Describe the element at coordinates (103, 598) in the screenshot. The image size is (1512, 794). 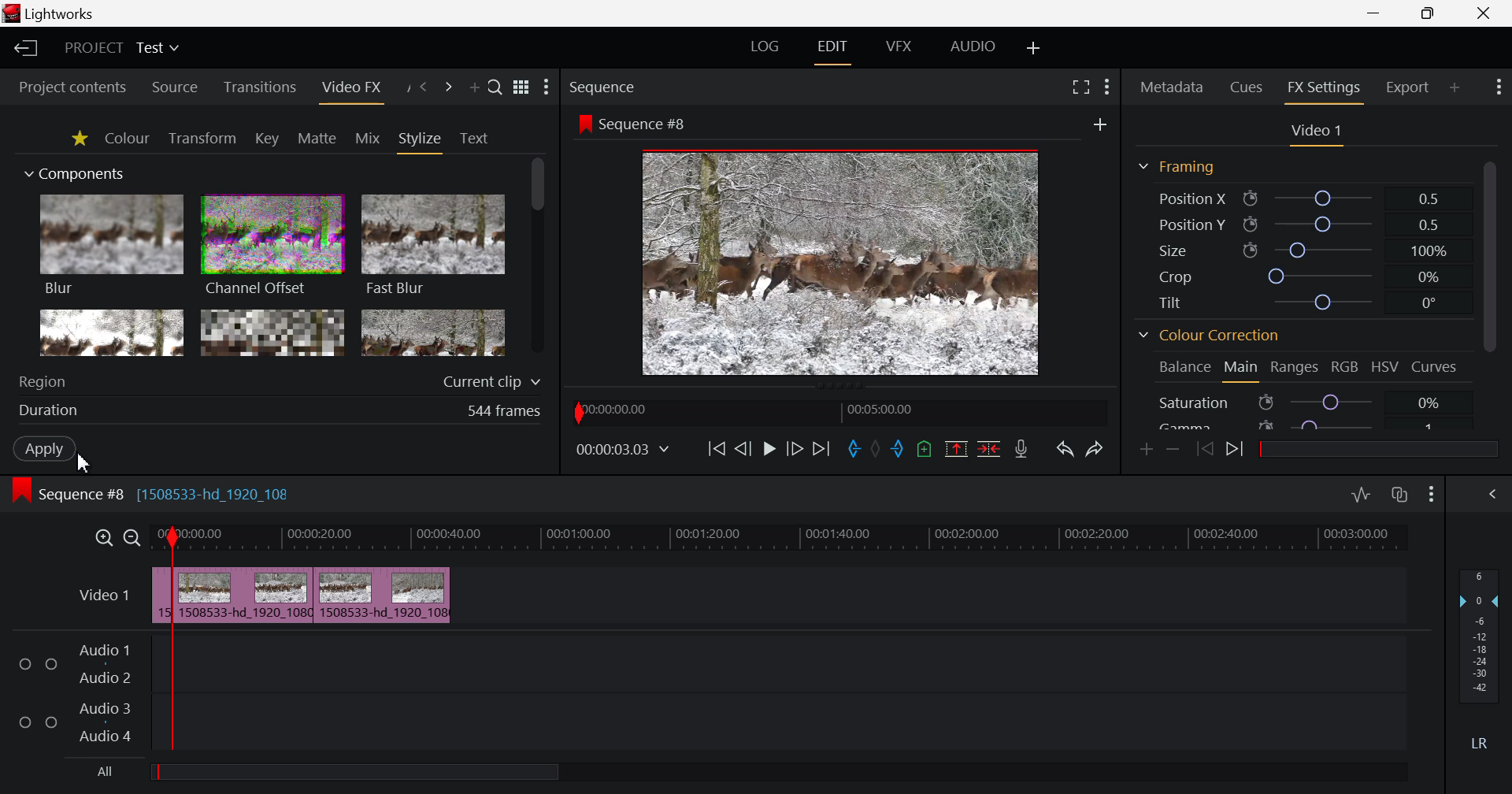
I see `Video Layer` at that location.